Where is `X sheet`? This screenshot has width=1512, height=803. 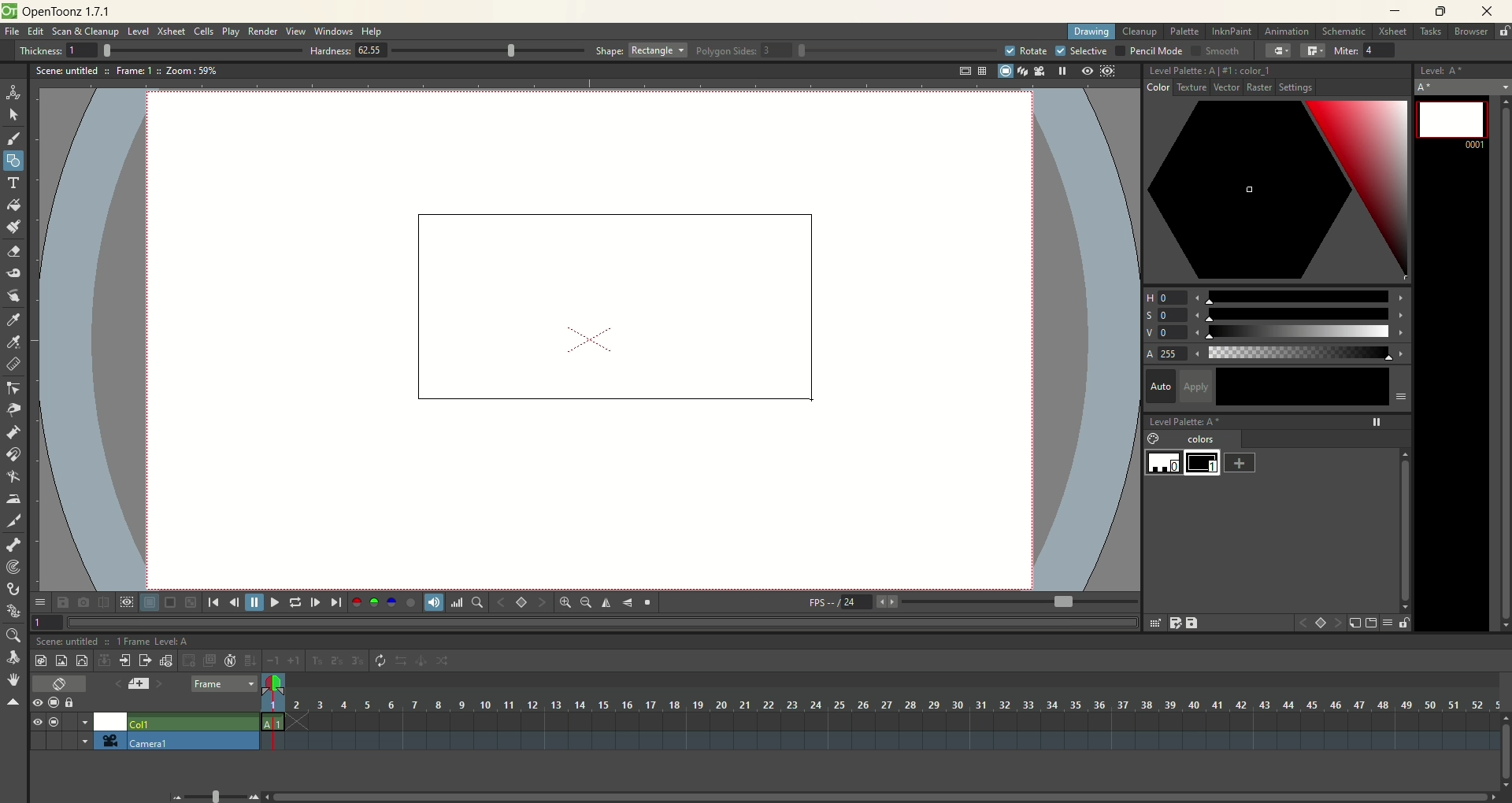
X sheet is located at coordinates (172, 31).